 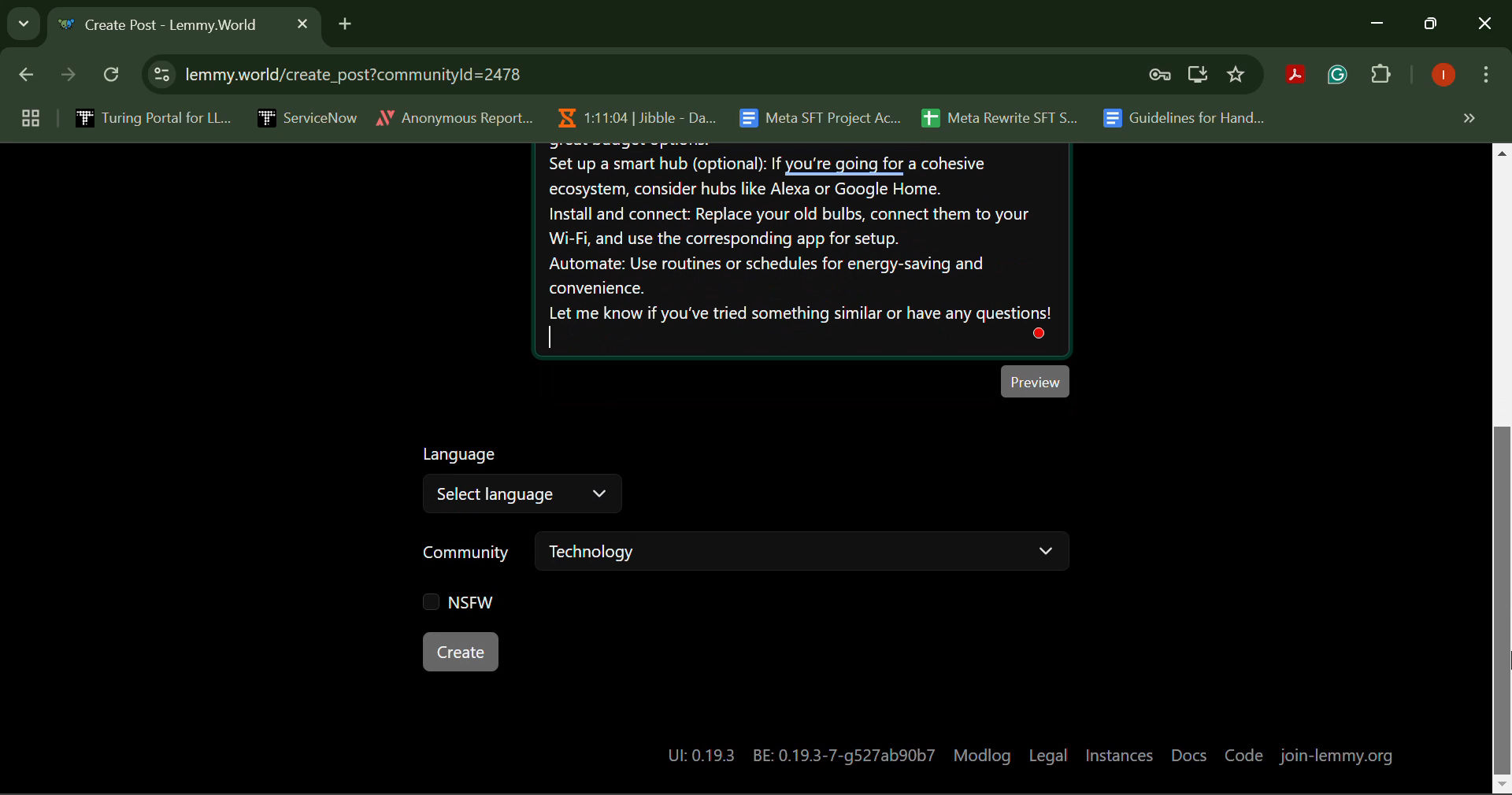 I want to click on Create Post Button, so click(x=460, y=652).